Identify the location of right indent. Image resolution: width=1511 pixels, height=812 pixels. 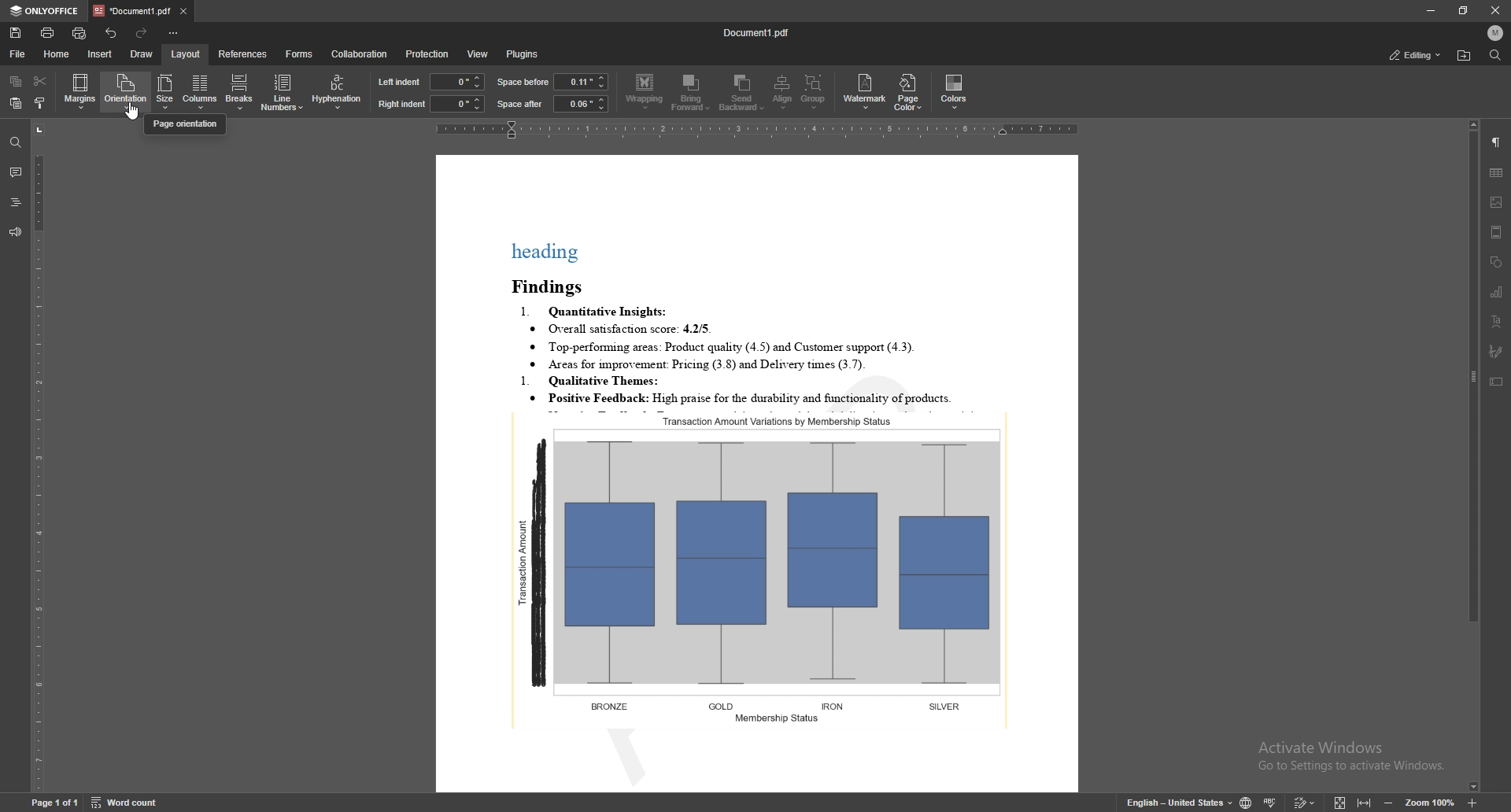
(401, 105).